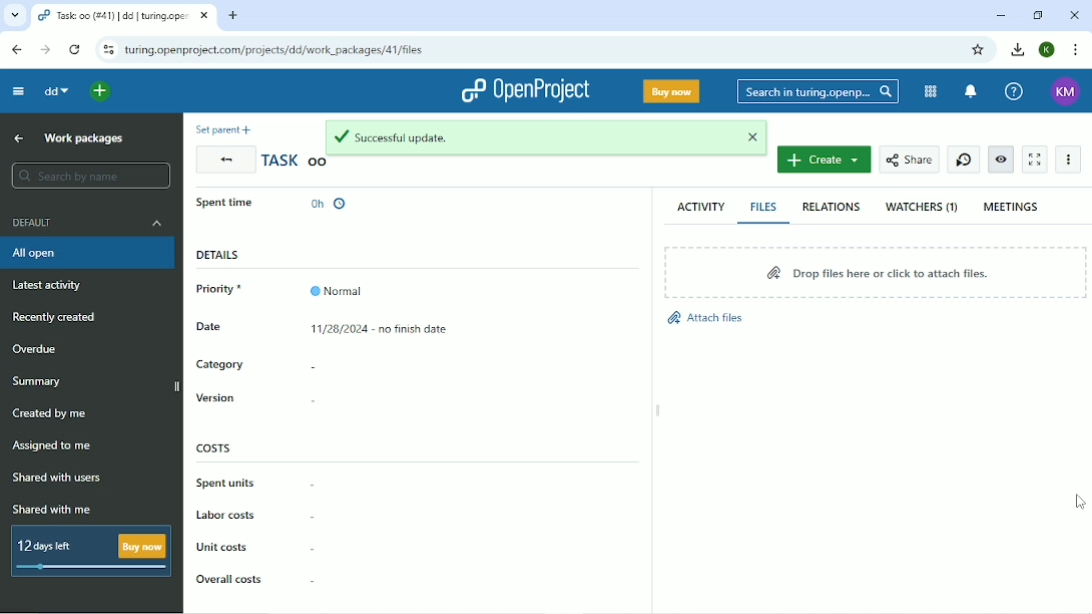 This screenshot has height=614, width=1092. Describe the element at coordinates (981, 50) in the screenshot. I see `Bookmark this tab` at that location.